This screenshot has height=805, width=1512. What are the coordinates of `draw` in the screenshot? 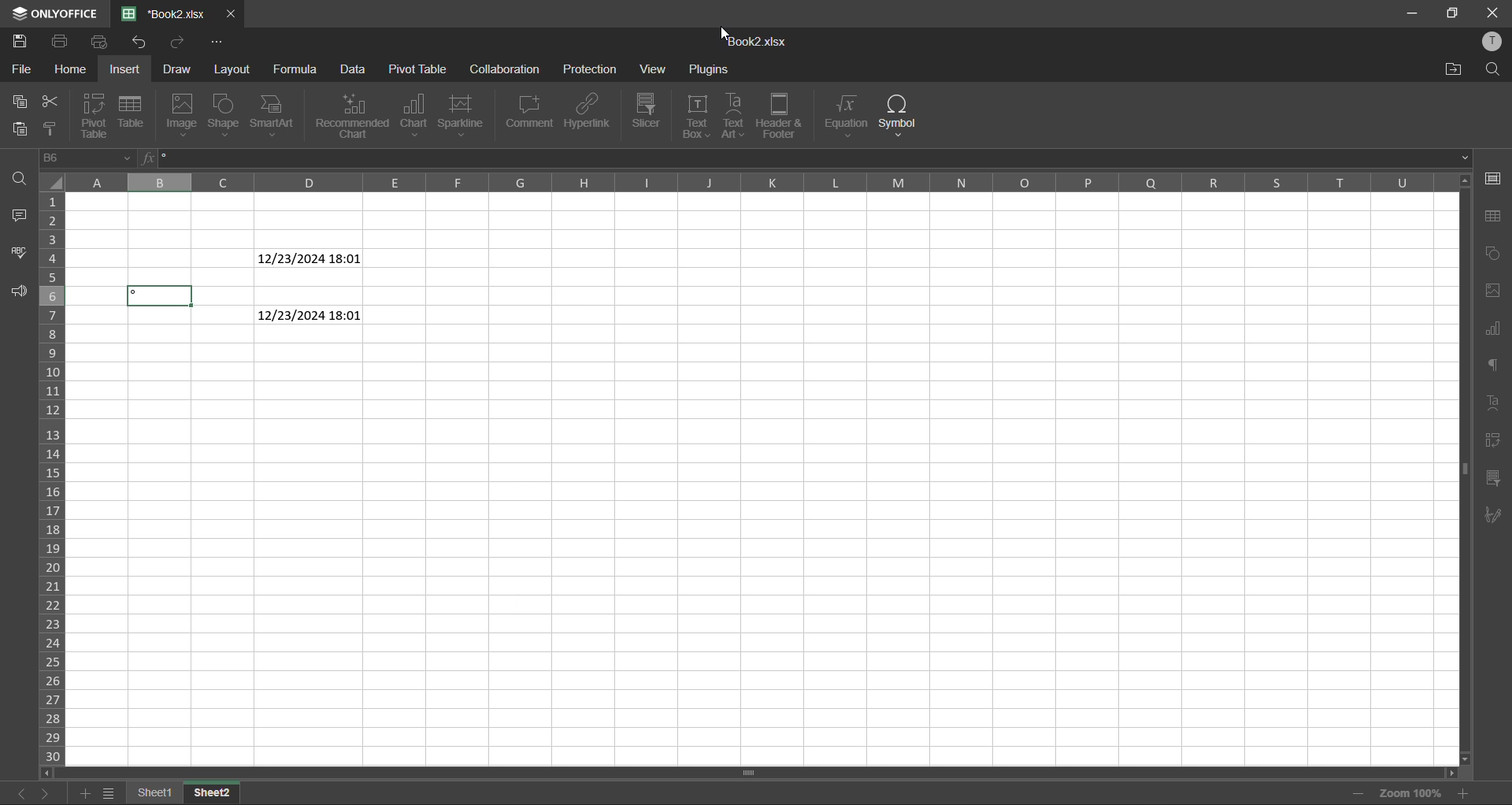 It's located at (176, 69).